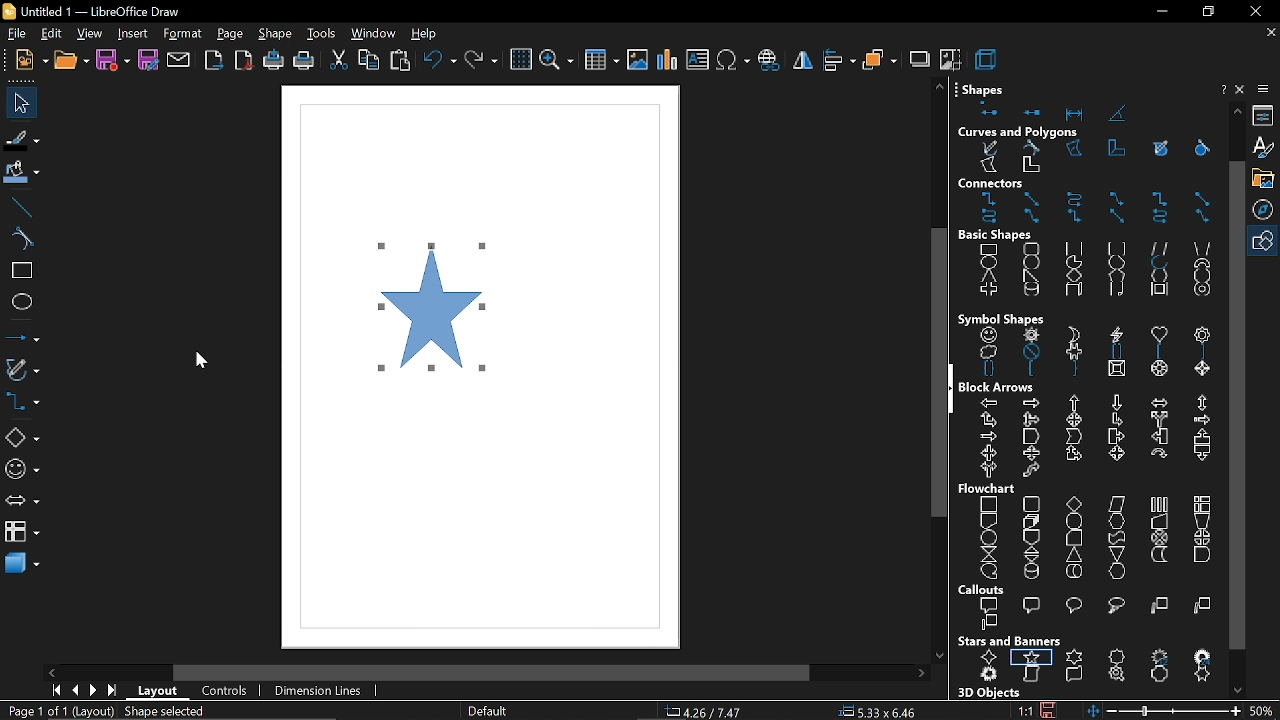 The width and height of the screenshot is (1280, 720). I want to click on zoom, so click(557, 59).